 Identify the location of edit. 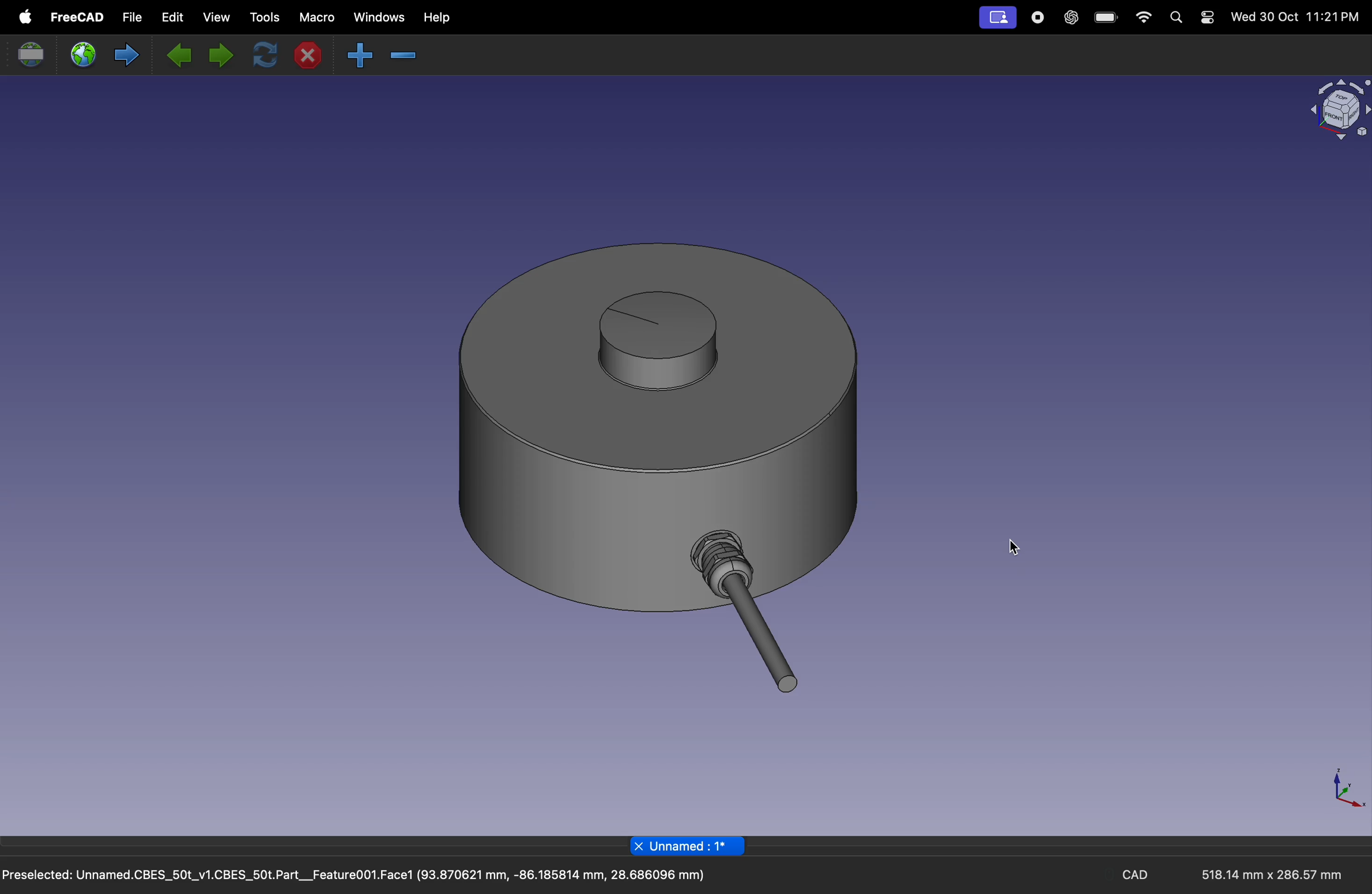
(176, 21).